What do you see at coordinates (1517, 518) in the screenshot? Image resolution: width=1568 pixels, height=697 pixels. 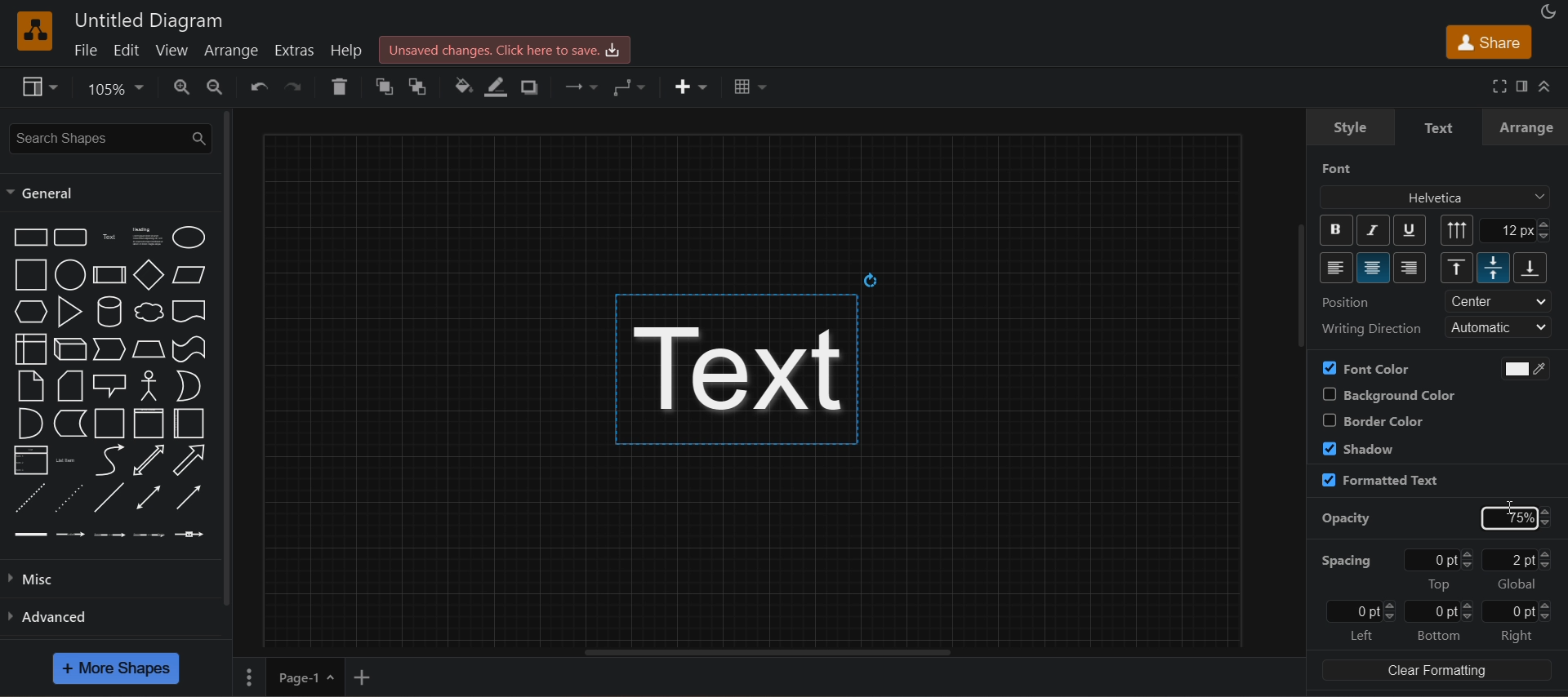 I see `opacity changed to 75% and "ENTER" pressed` at bounding box center [1517, 518].